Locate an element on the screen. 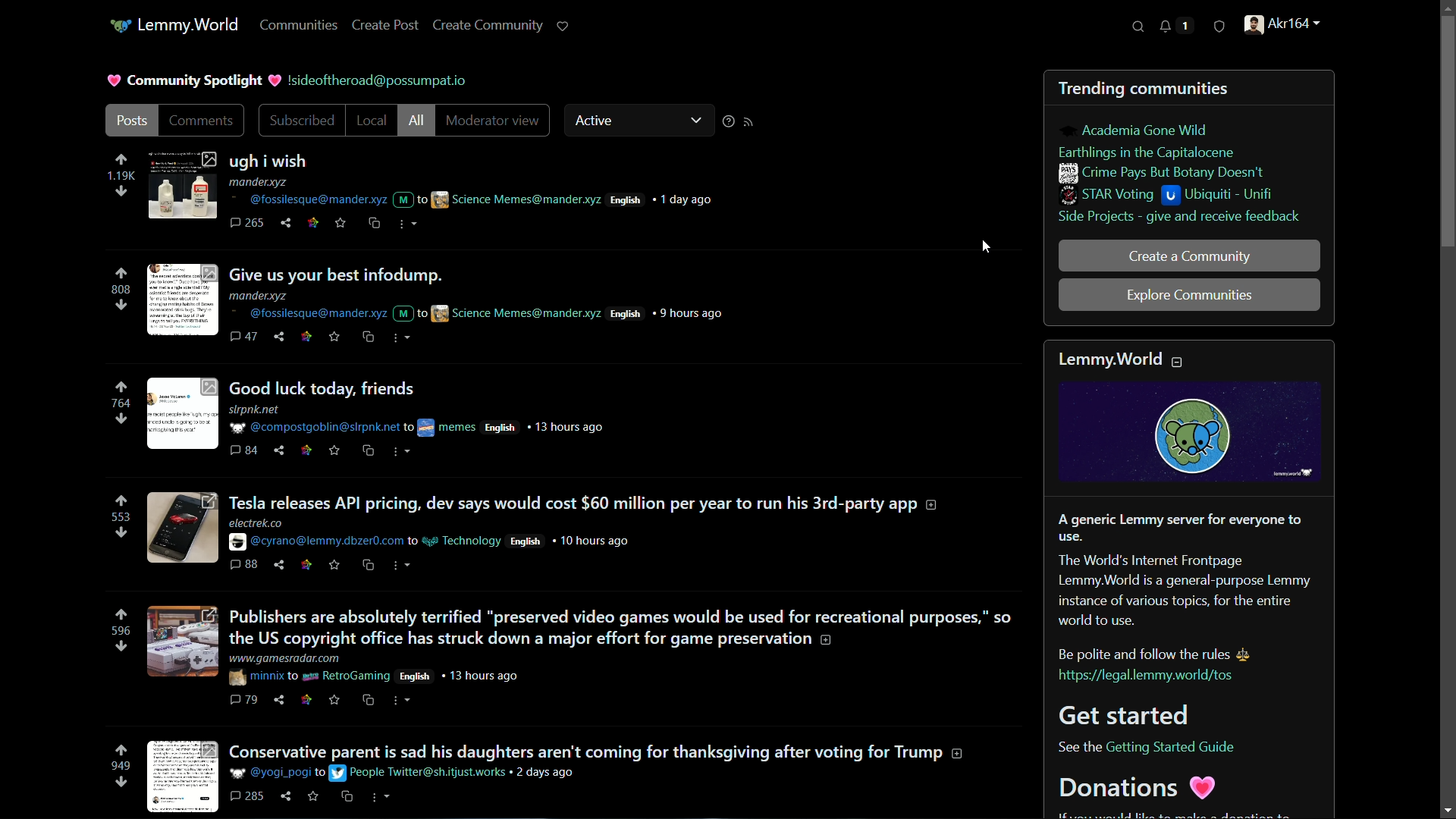   English  13 hours ago is located at coordinates (460, 675).